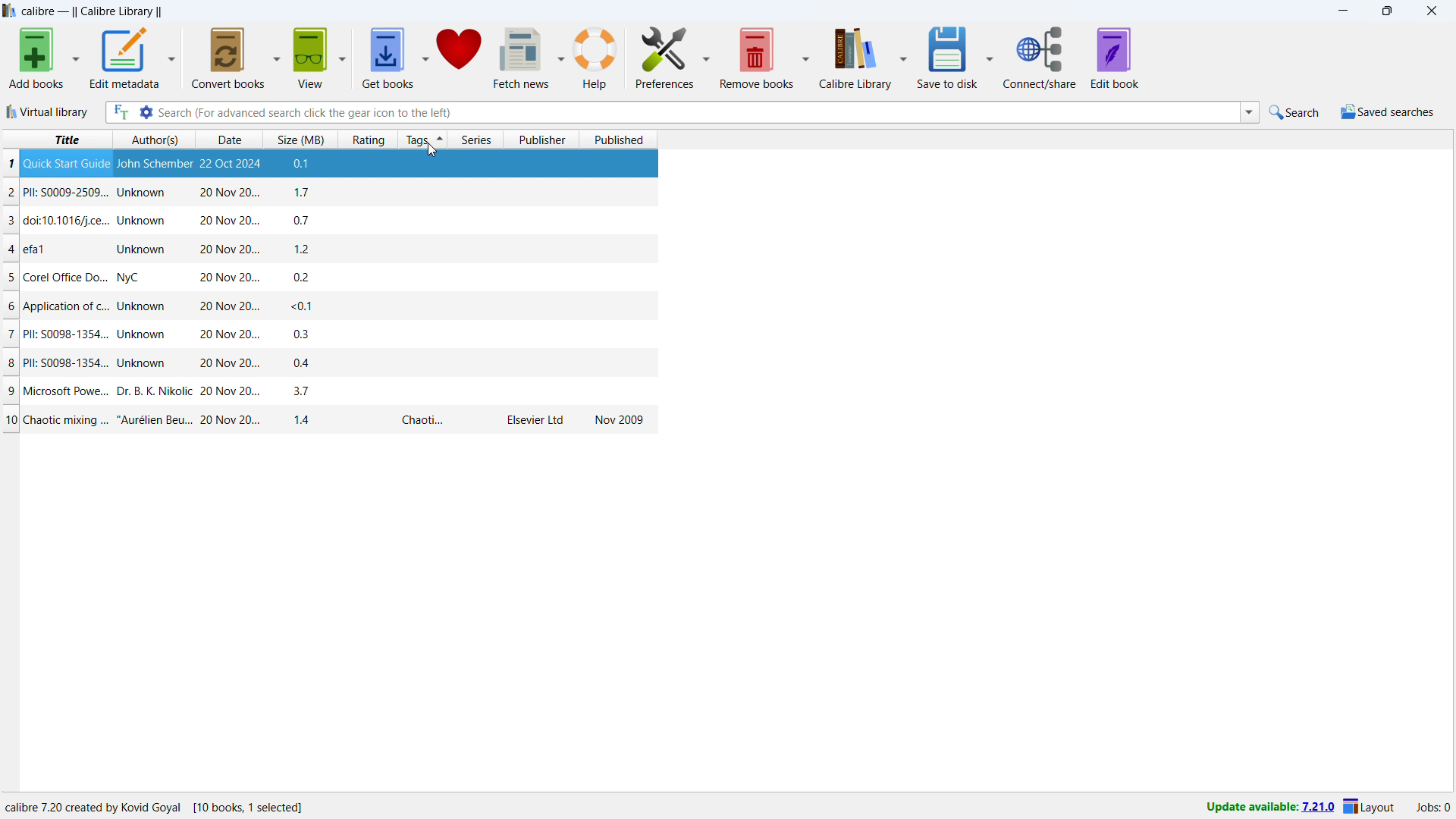  What do you see at coordinates (425, 56) in the screenshot?
I see `get books options` at bounding box center [425, 56].